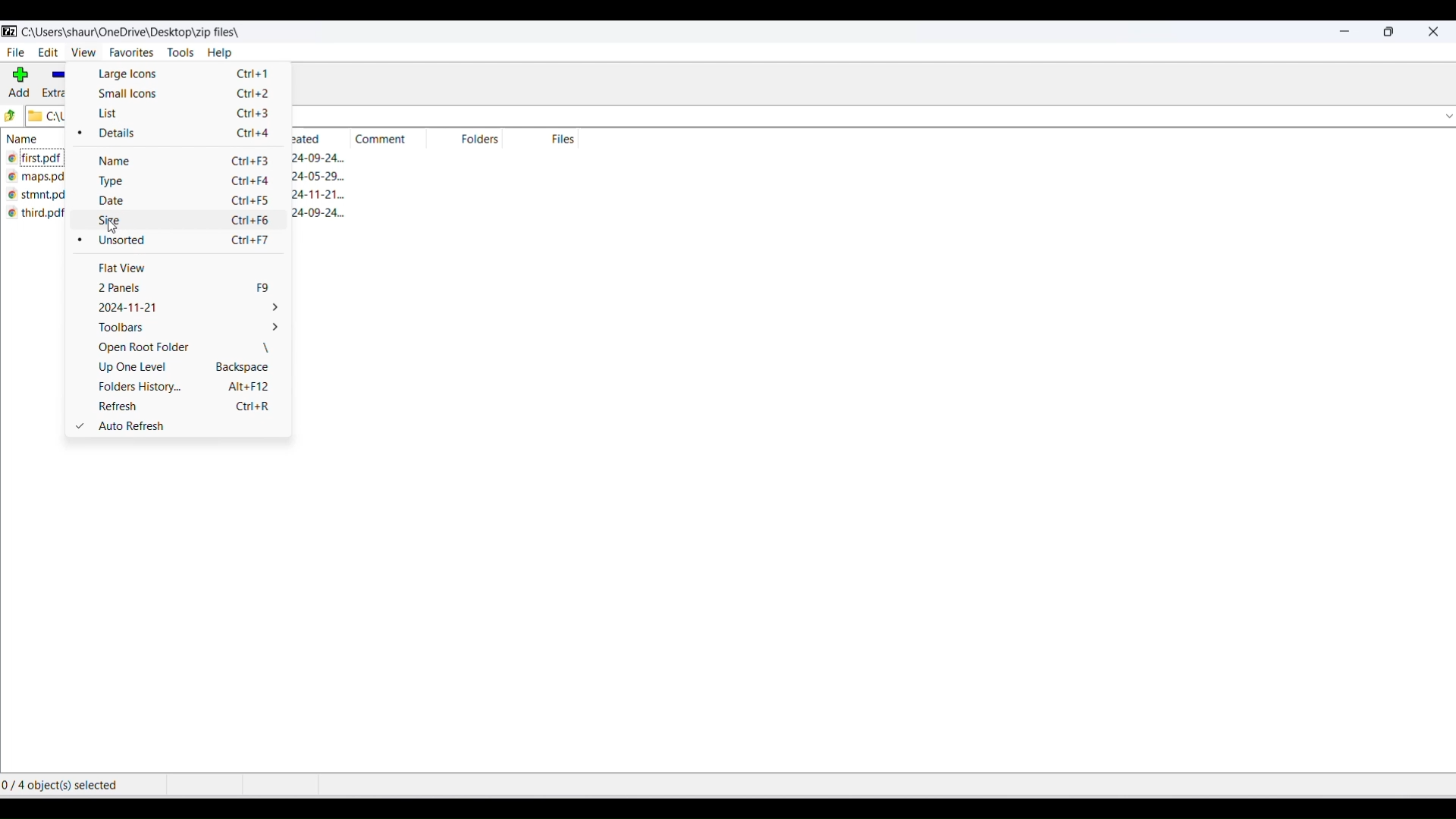 Image resolution: width=1456 pixels, height=819 pixels. I want to click on 2024-09-24, so click(322, 215).